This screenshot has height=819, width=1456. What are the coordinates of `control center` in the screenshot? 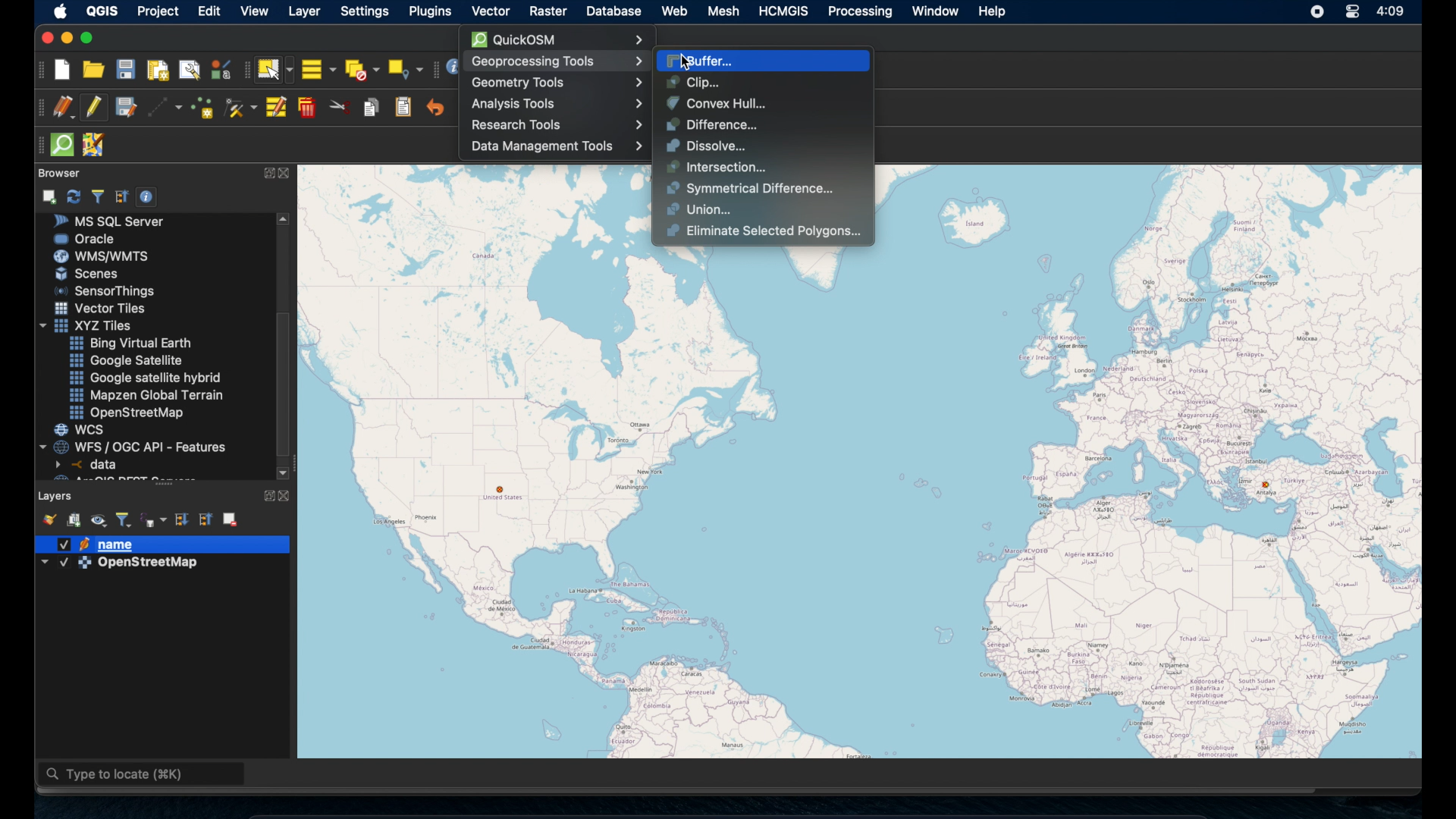 It's located at (1349, 11).